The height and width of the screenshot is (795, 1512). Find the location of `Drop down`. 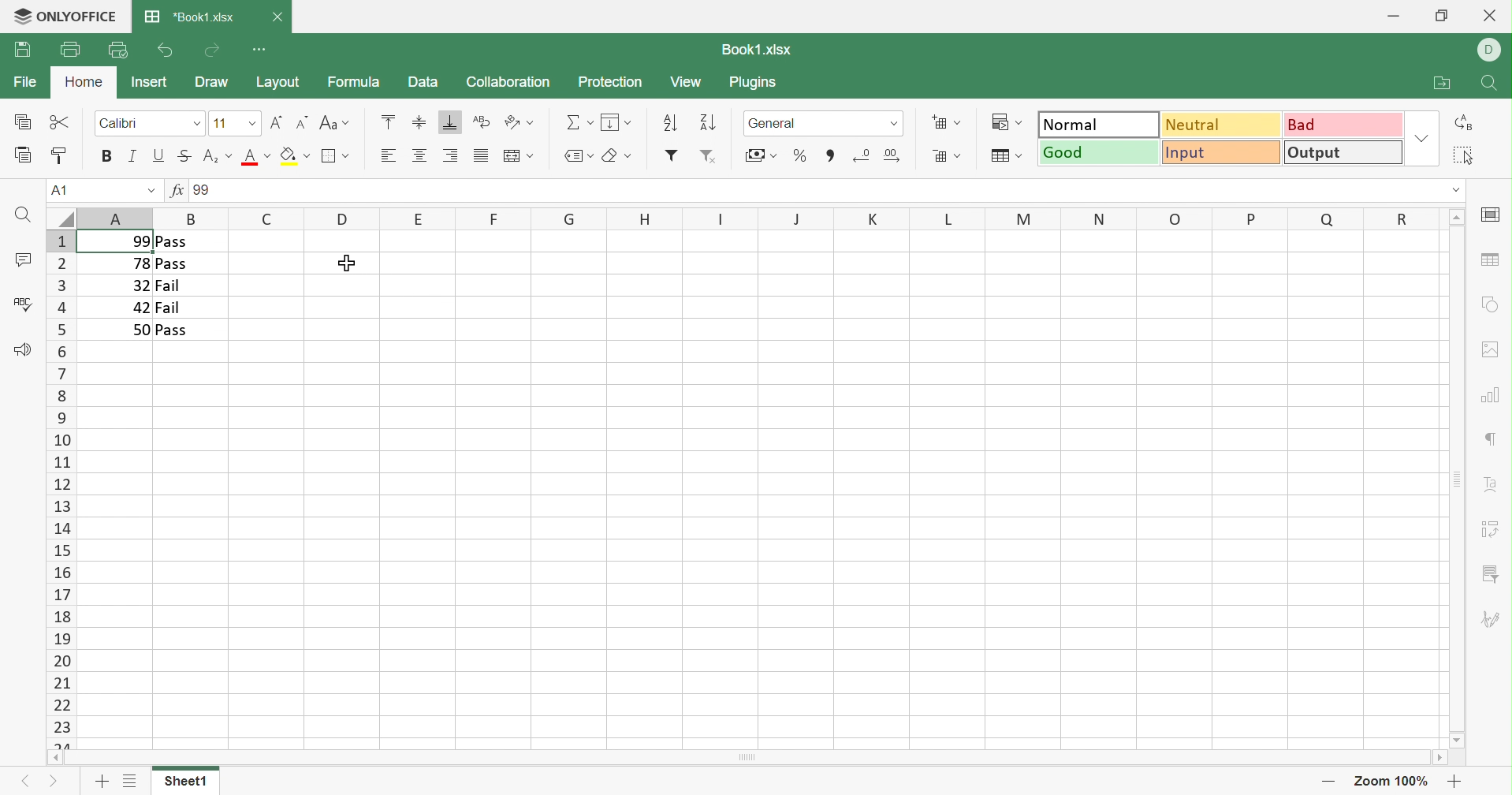

Drop down is located at coordinates (1455, 189).